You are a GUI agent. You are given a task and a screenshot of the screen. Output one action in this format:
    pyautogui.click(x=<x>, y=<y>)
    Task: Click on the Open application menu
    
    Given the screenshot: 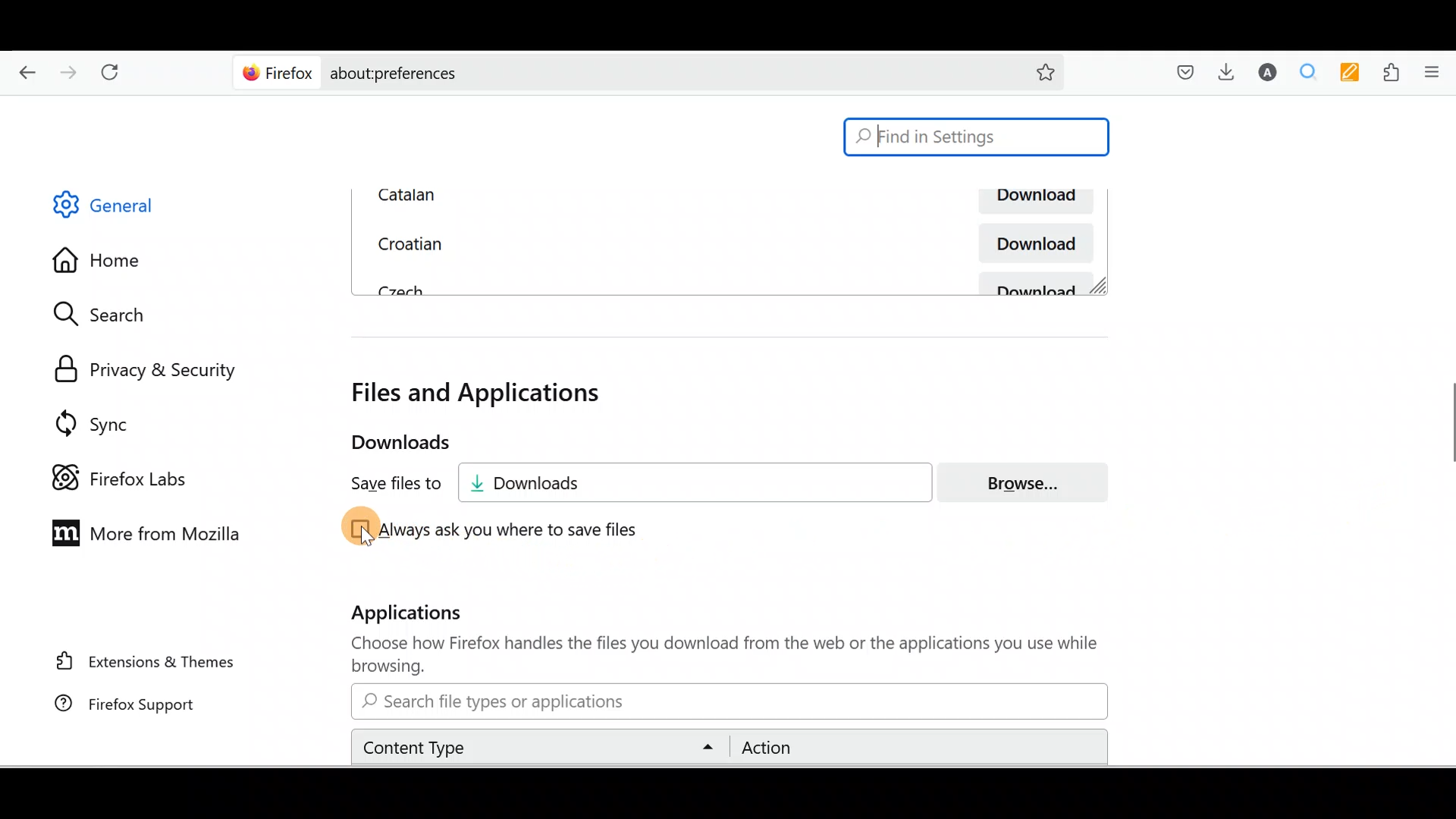 What is the action you would take?
    pyautogui.click(x=1436, y=72)
    